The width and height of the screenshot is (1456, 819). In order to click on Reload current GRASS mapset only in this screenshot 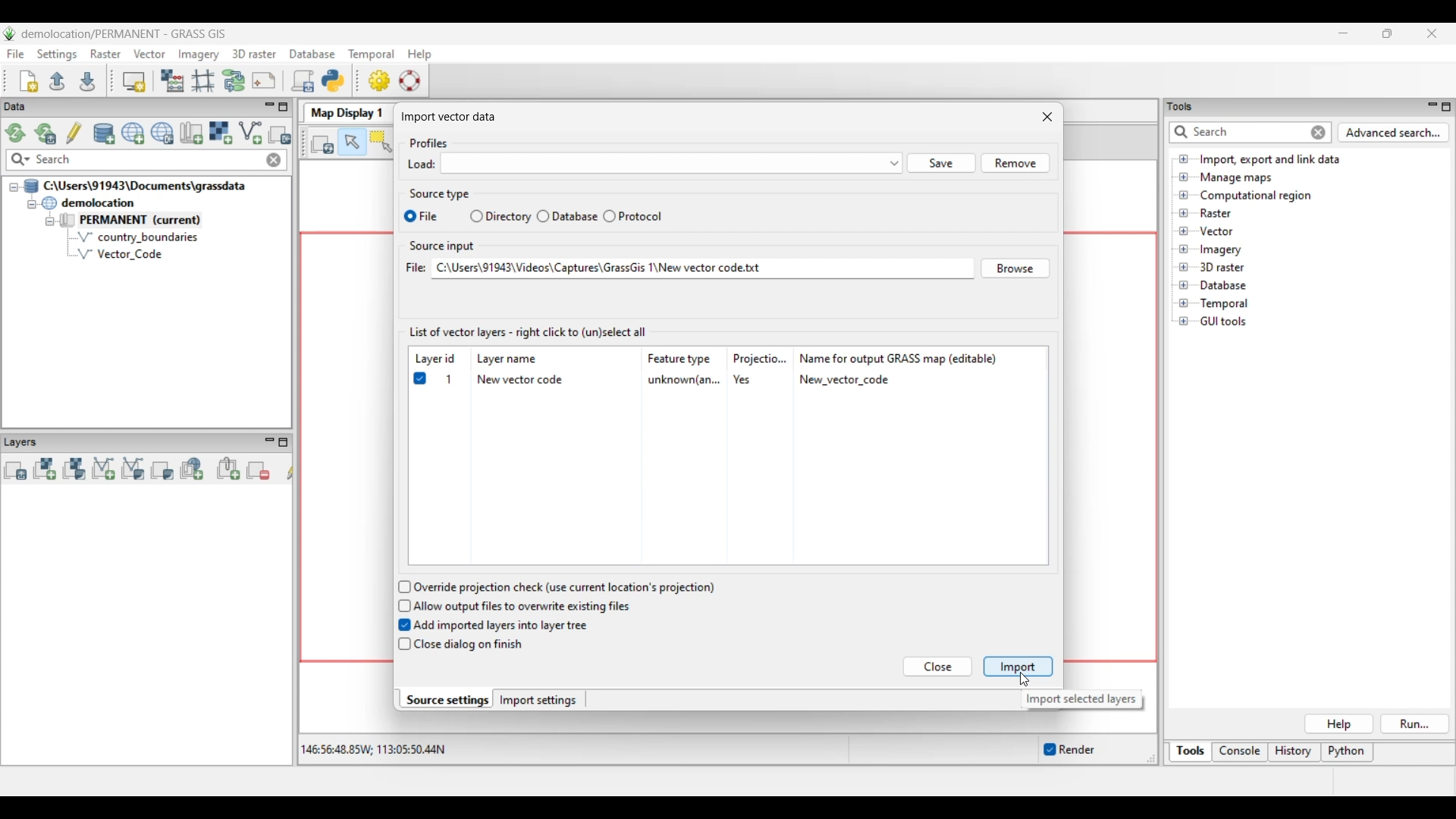, I will do `click(45, 133)`.